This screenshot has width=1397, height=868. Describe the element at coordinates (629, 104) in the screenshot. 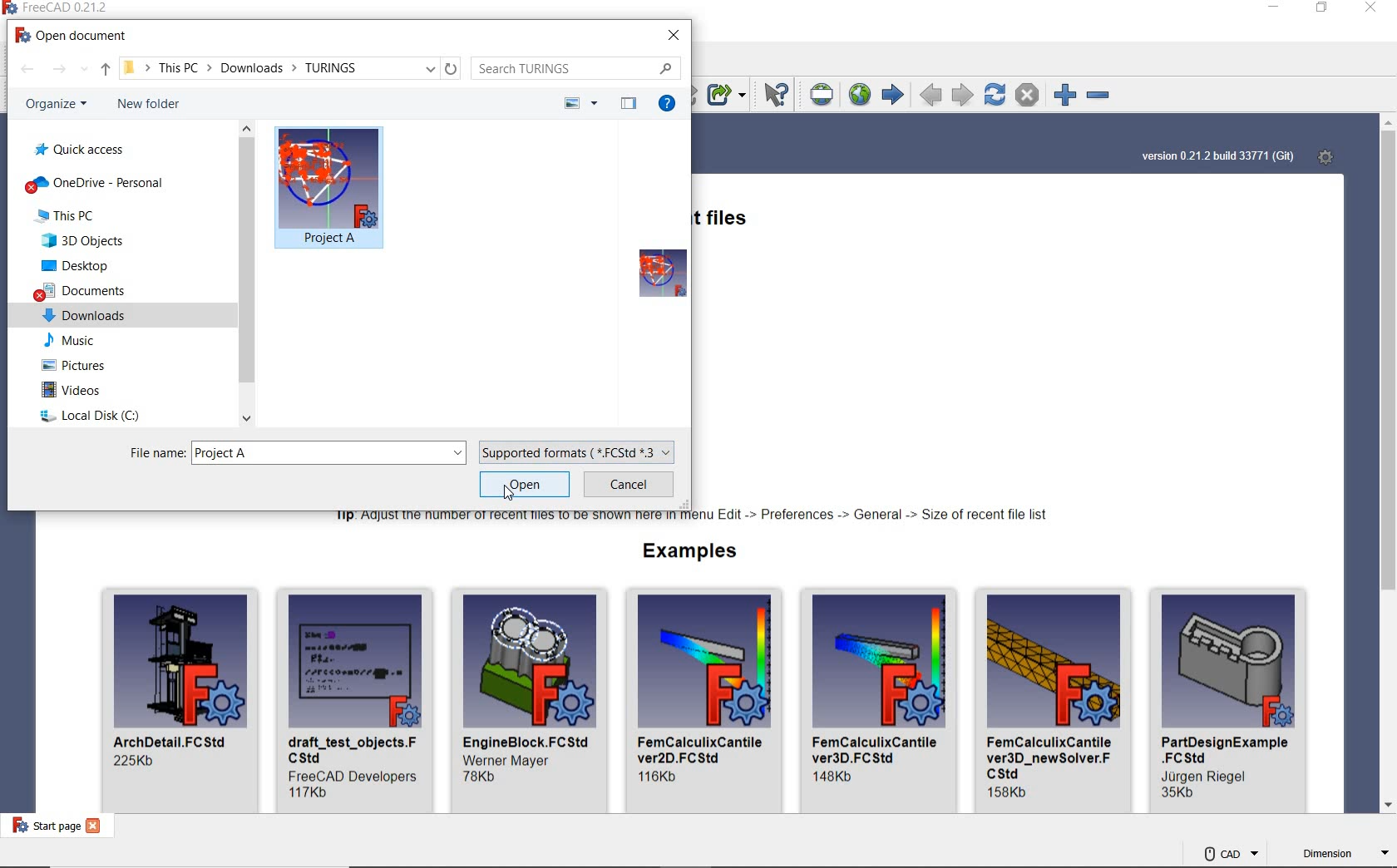

I see `HIDE THE PREVIEW PANE` at that location.